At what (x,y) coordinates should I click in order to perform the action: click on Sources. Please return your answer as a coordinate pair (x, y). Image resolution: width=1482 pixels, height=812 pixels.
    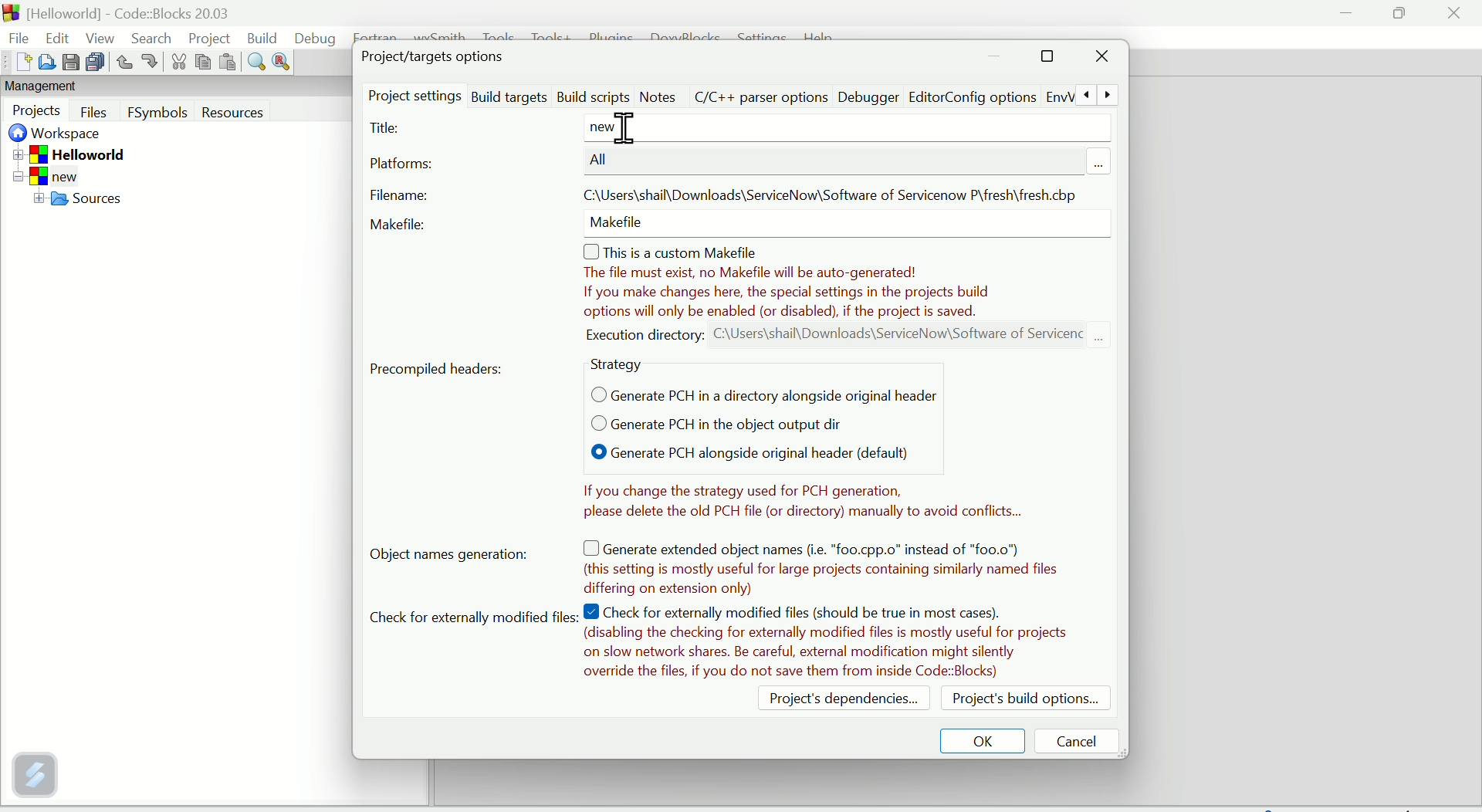
    Looking at the image, I should click on (102, 201).